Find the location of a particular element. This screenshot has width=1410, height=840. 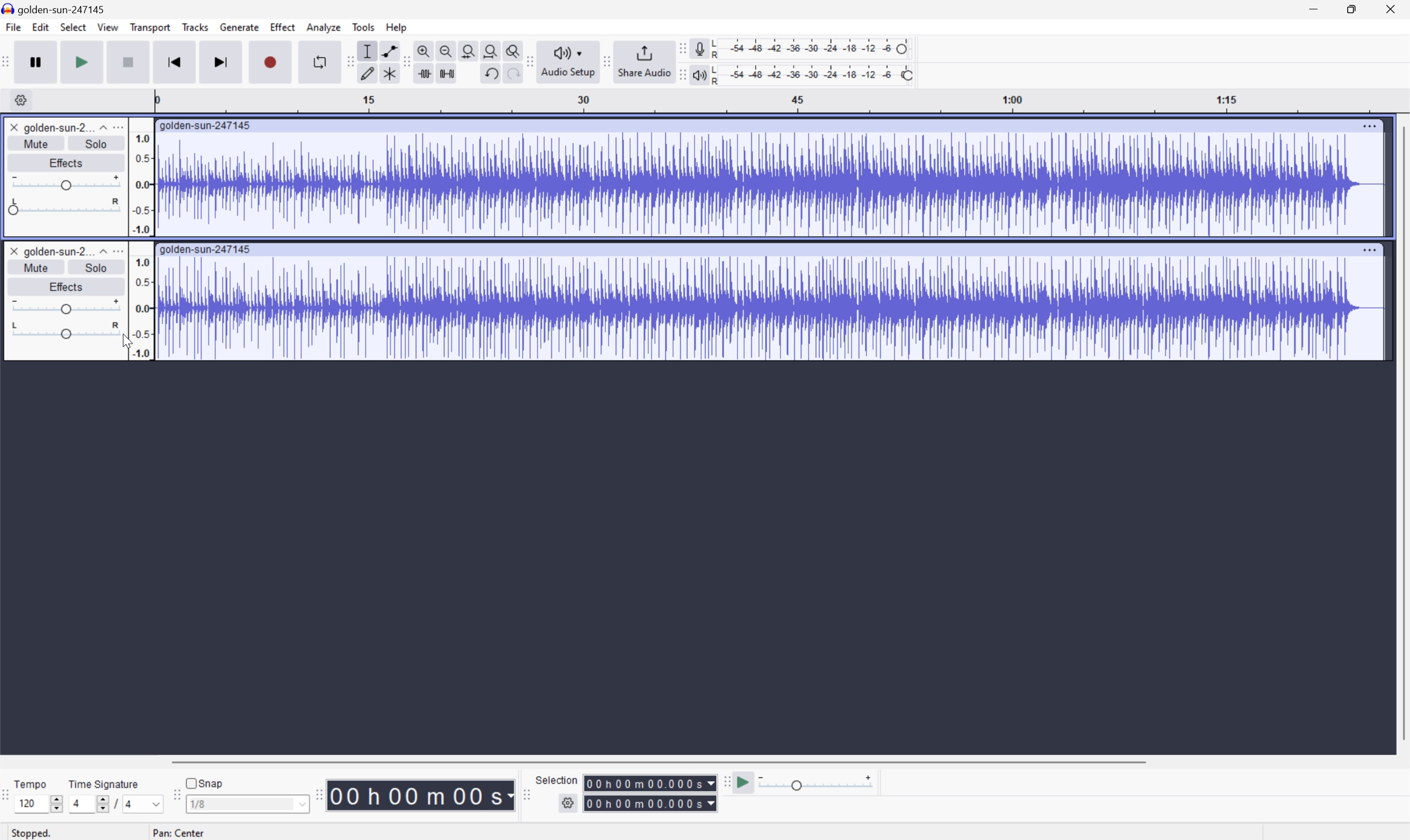

Audacity playback meter toolbar is located at coordinates (680, 70).